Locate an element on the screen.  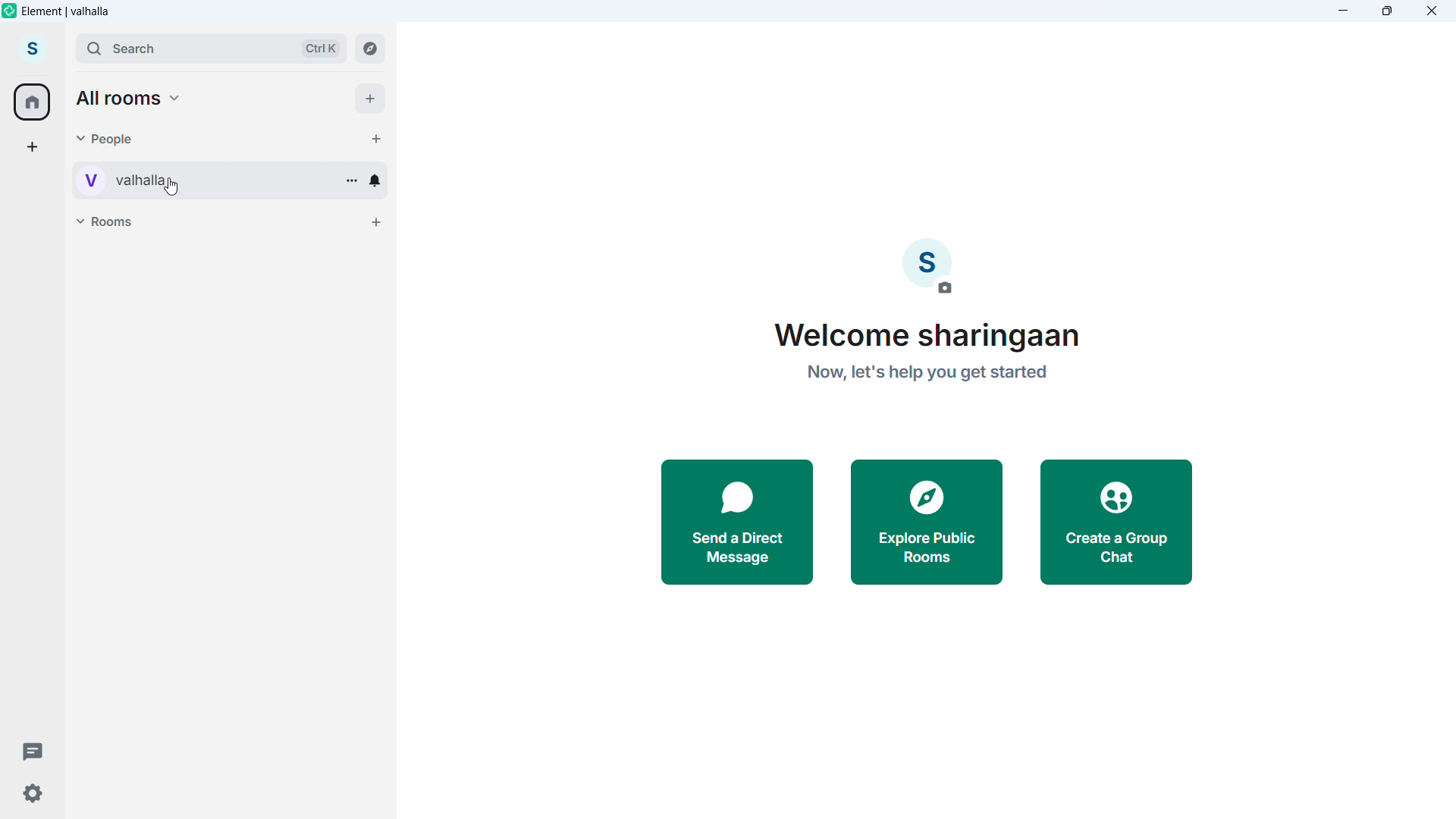
Add  is located at coordinates (371, 99).